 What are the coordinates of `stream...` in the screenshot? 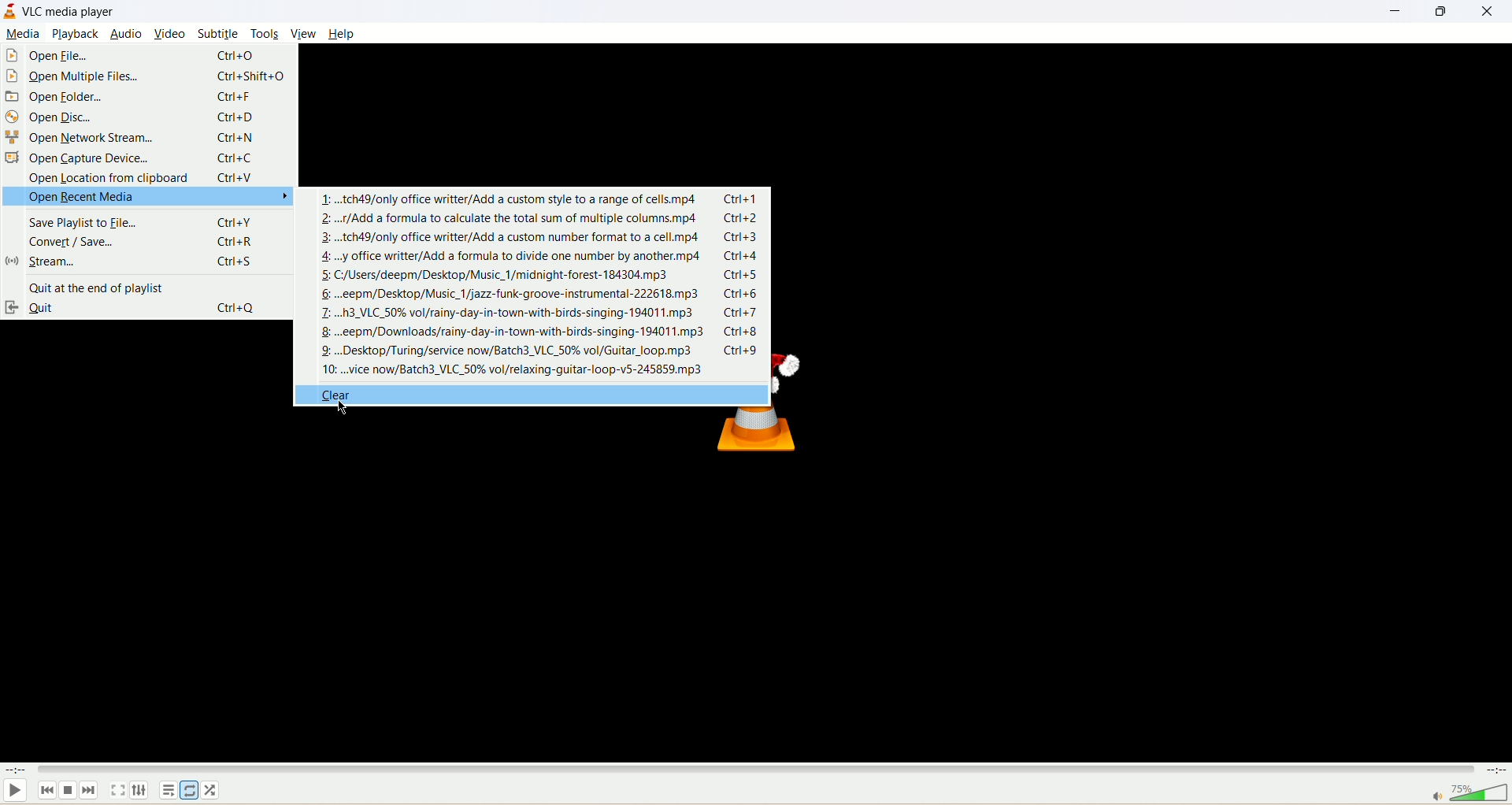 It's located at (101, 261).